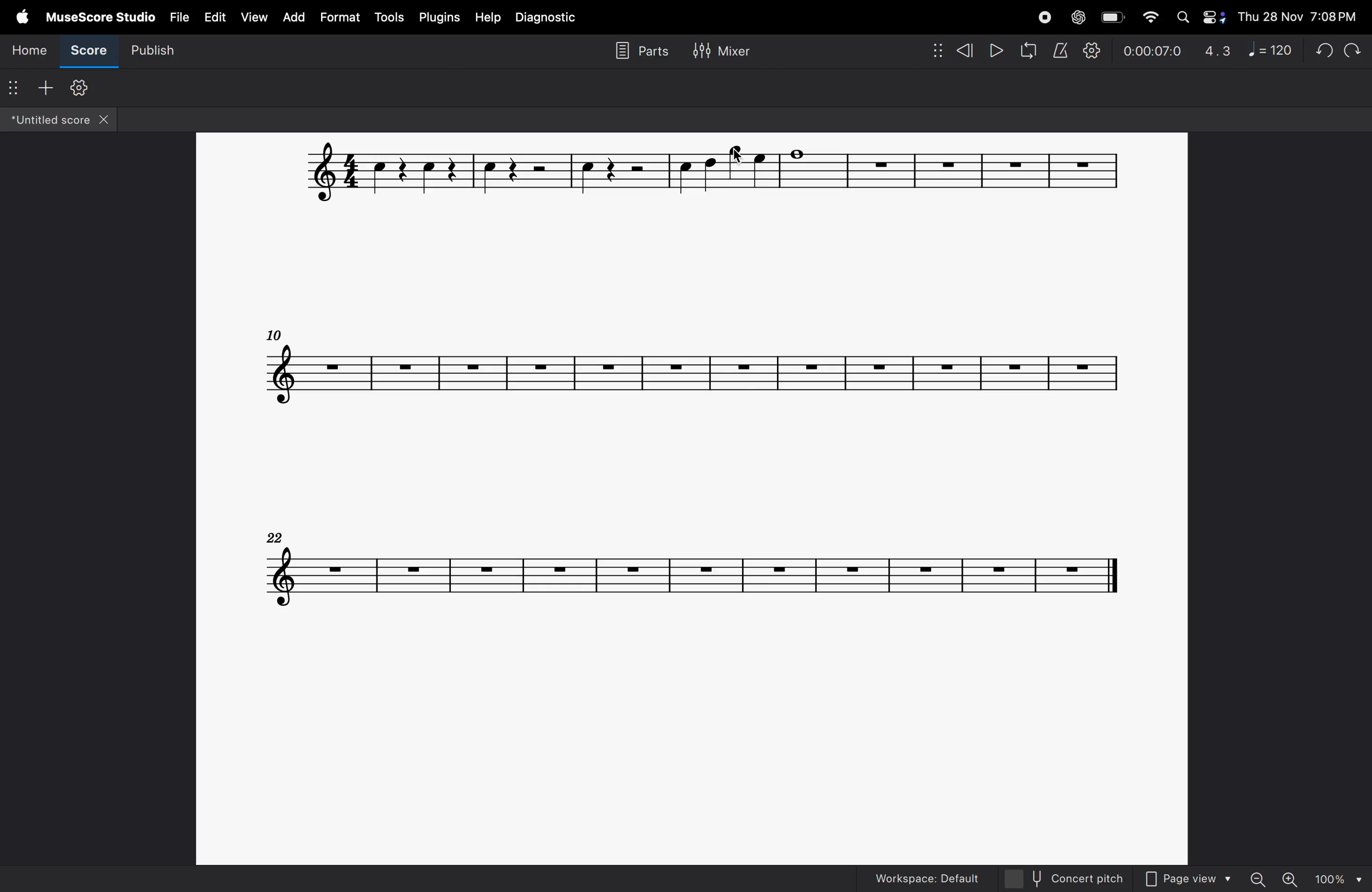  What do you see at coordinates (1197, 18) in the screenshot?
I see `apple widgets` at bounding box center [1197, 18].